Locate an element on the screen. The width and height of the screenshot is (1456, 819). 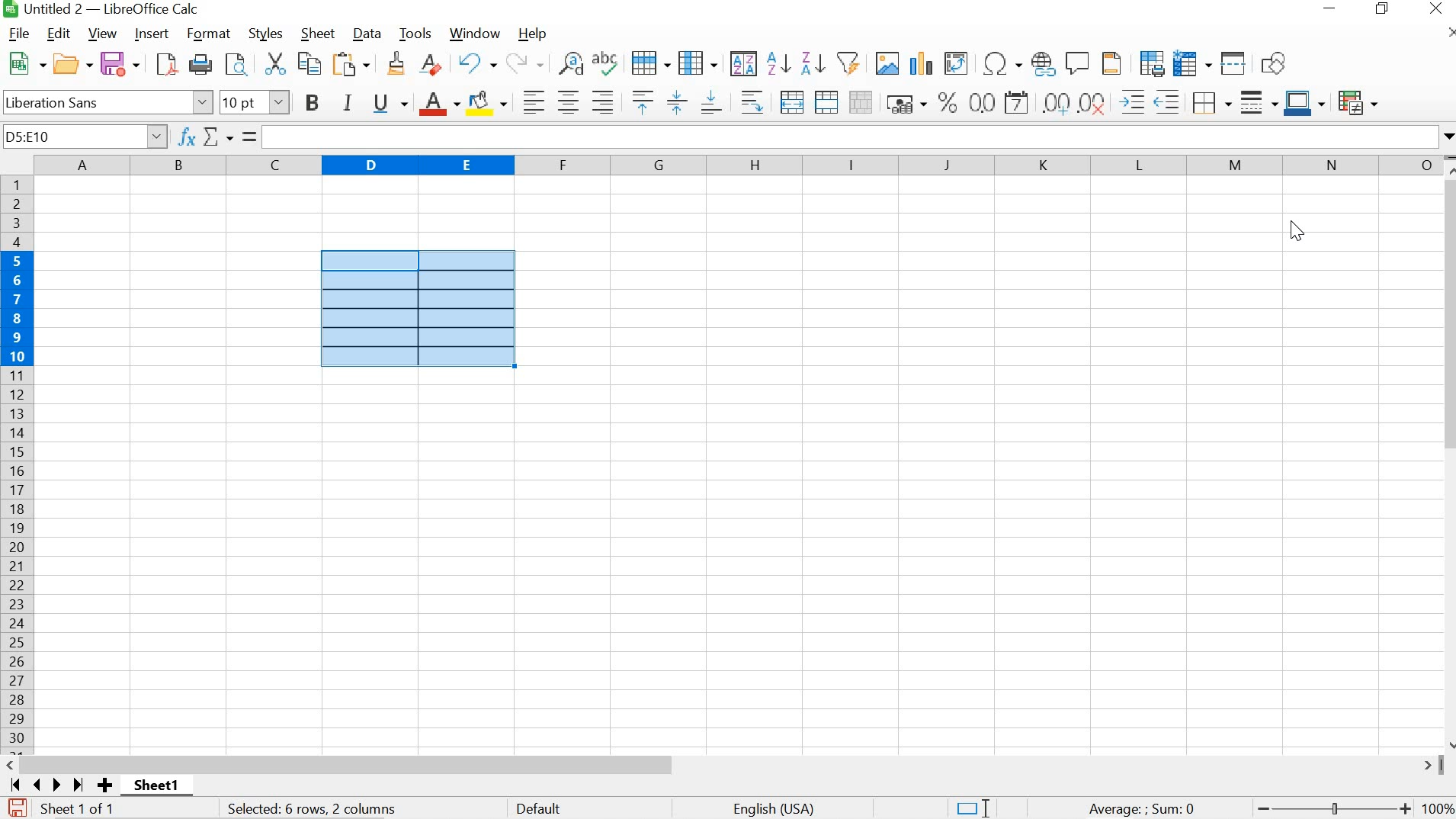
REMOVE DECIMAL PLACE is located at coordinates (1094, 103).